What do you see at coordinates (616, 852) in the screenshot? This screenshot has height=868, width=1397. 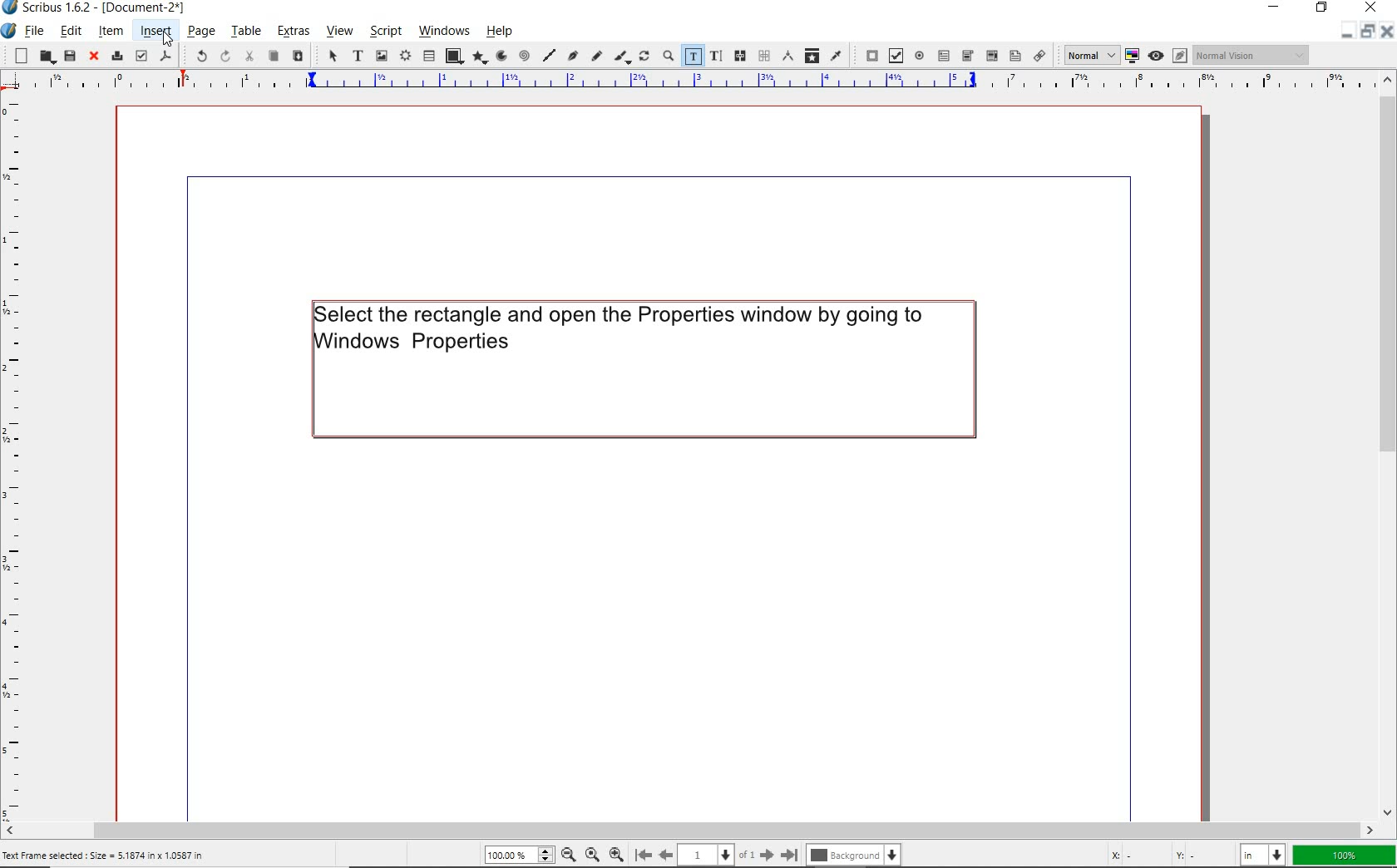 I see `zoom in` at bounding box center [616, 852].